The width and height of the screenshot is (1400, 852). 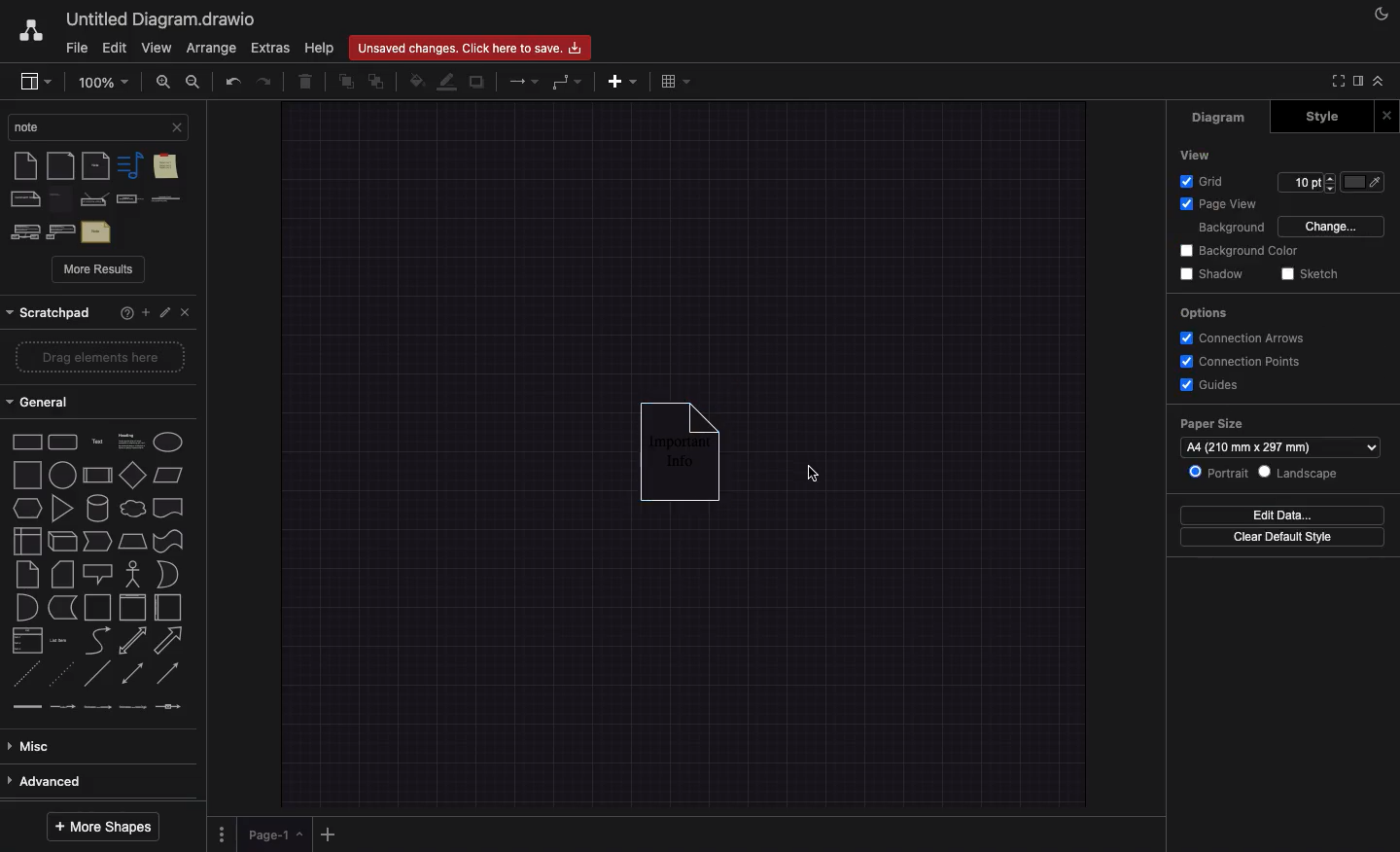 I want to click on paper size, so click(x=1216, y=425).